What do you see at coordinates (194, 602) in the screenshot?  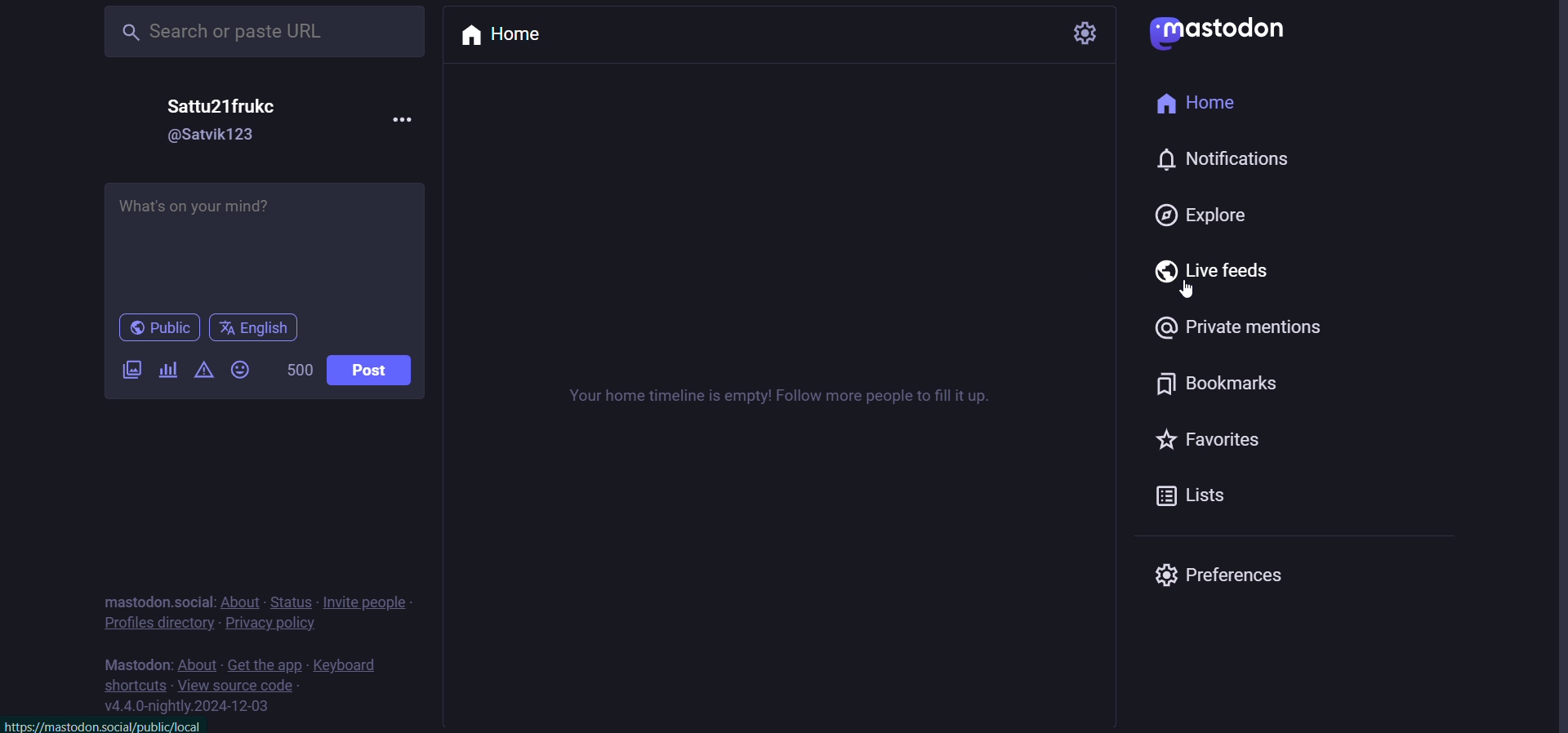 I see `social` at bounding box center [194, 602].